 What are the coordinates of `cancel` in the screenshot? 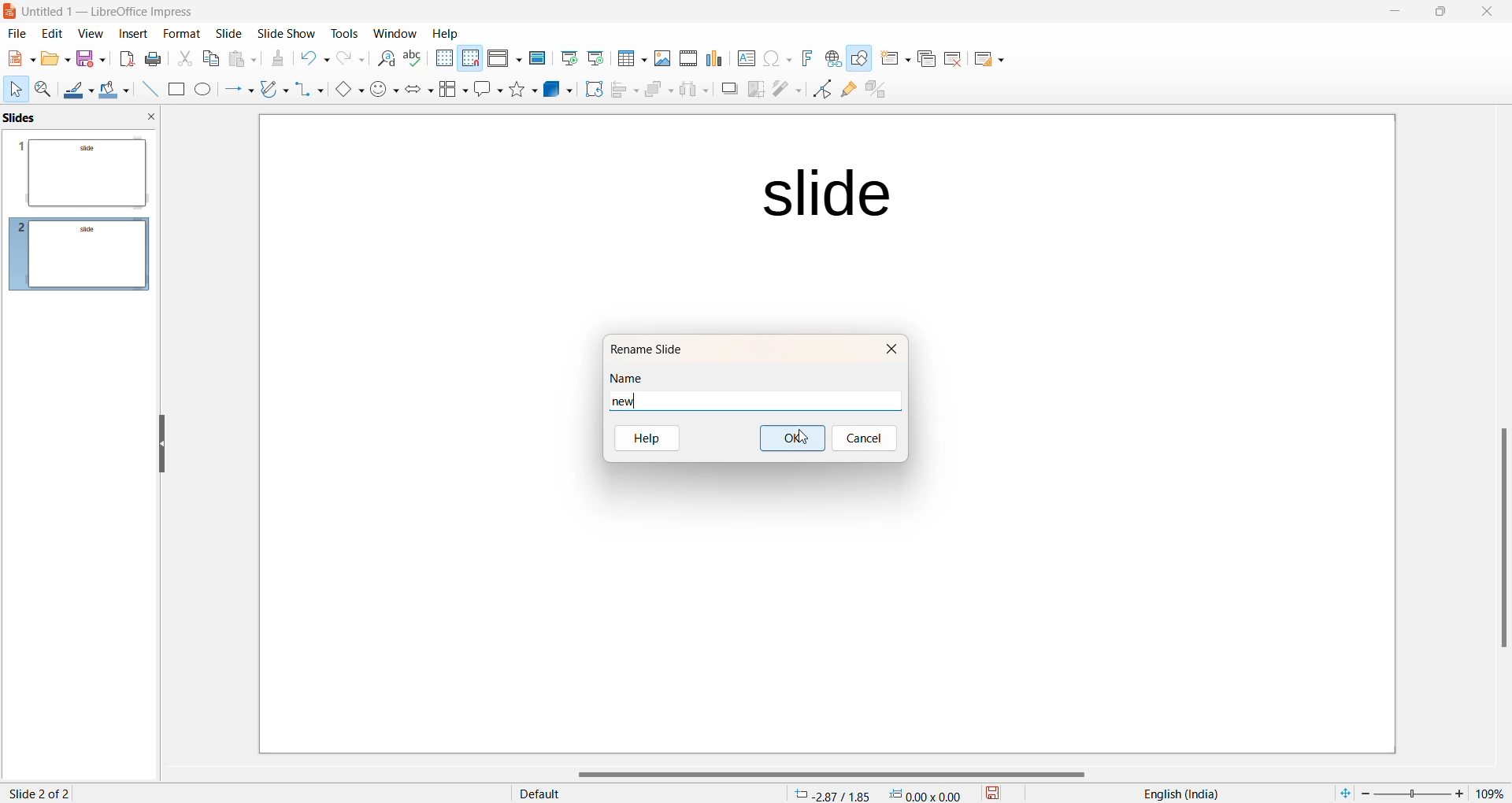 It's located at (864, 438).